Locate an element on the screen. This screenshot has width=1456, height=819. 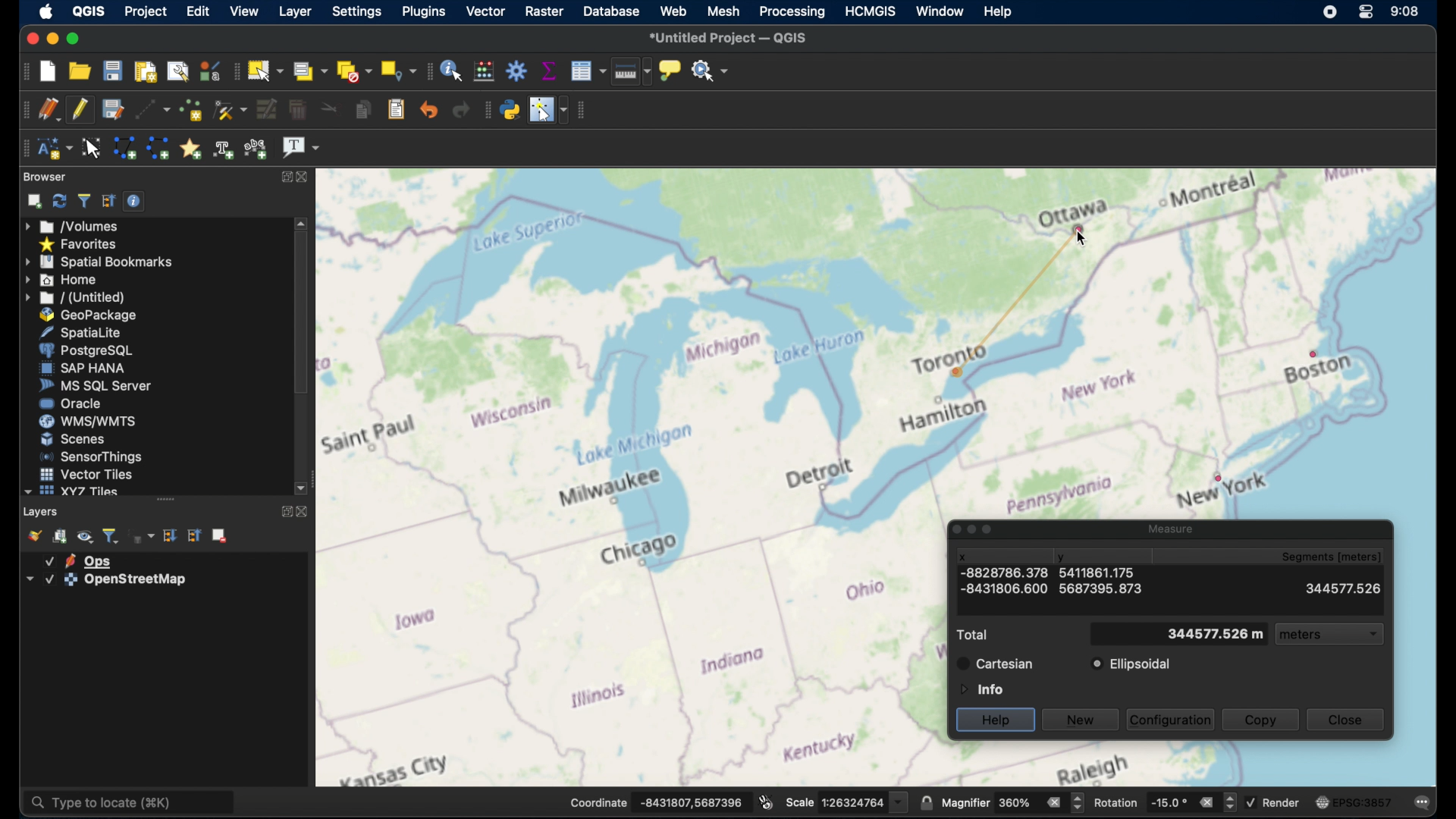
show layout manager is located at coordinates (177, 69).